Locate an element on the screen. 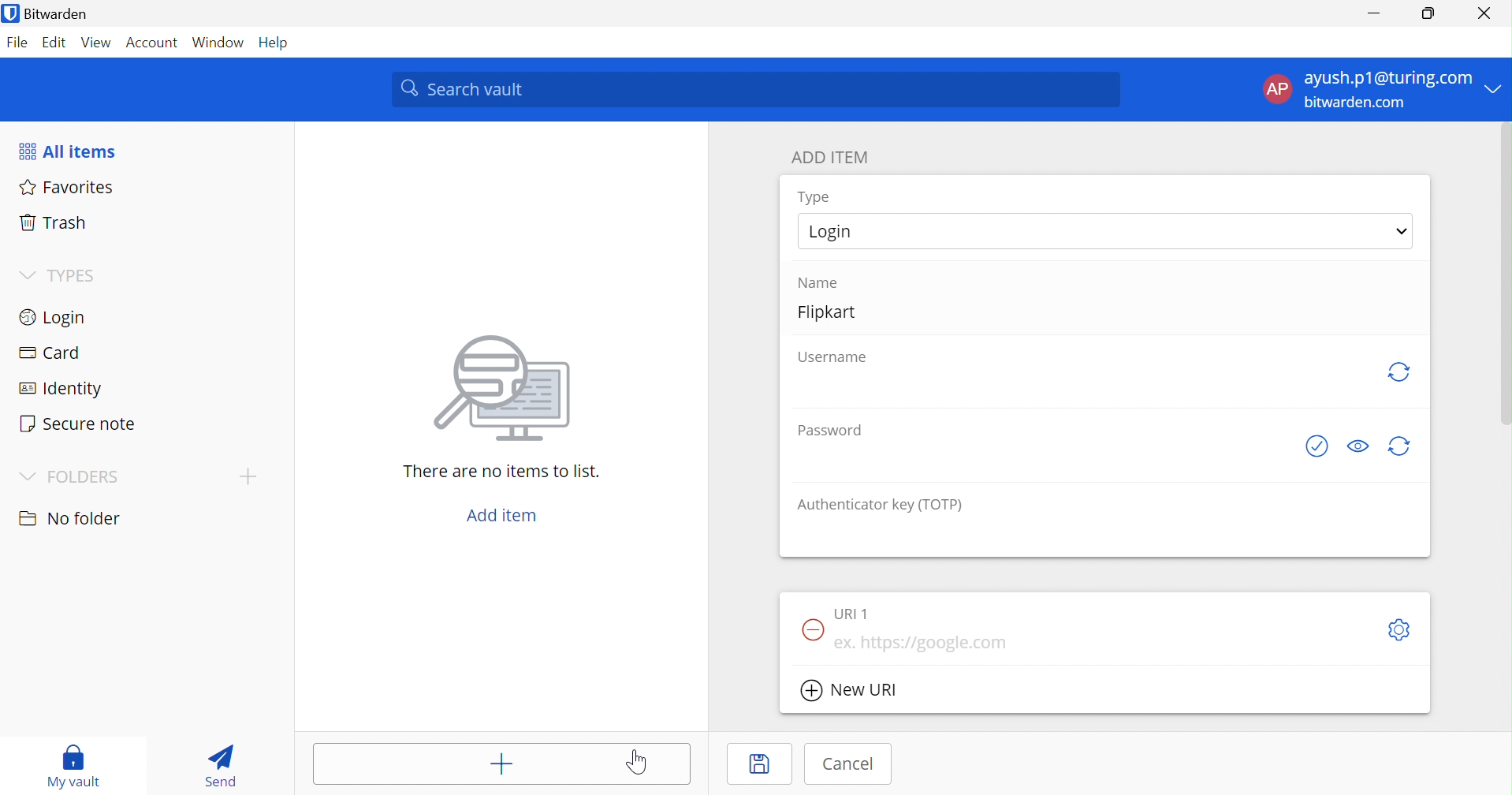 This screenshot has height=795, width=1512. AP is located at coordinates (1276, 88).